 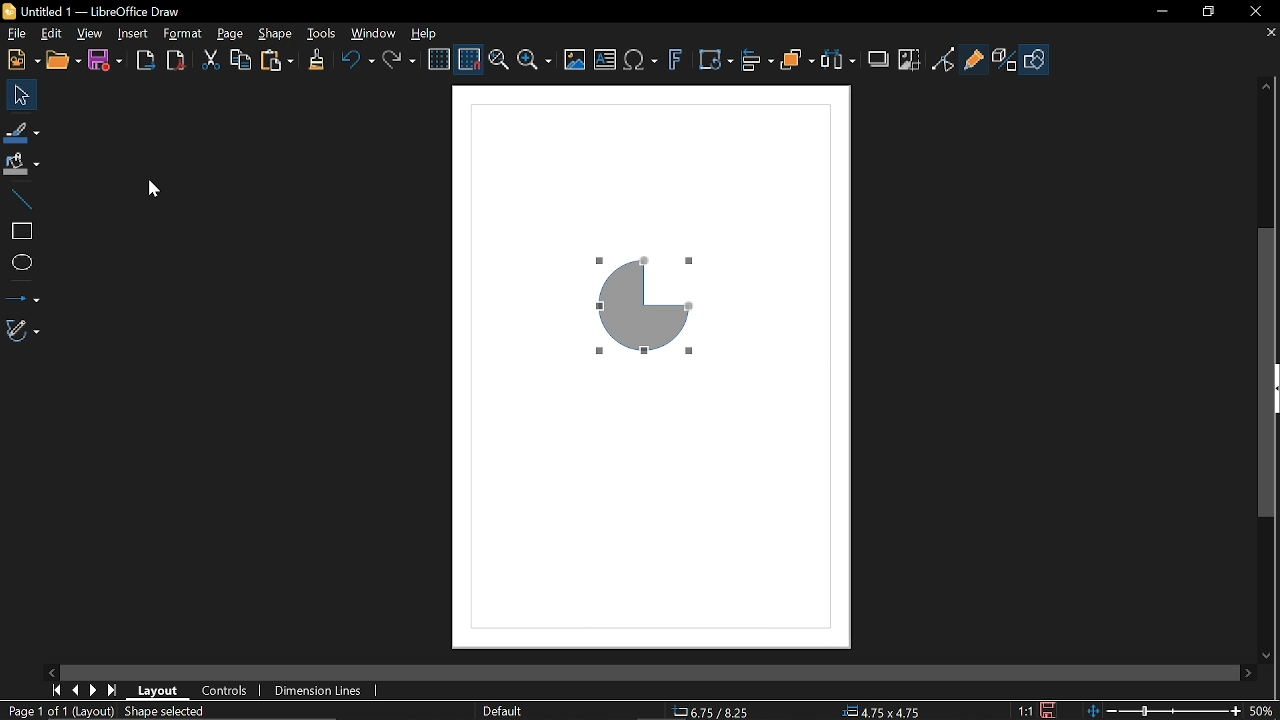 I want to click on Cursor, so click(x=162, y=190).